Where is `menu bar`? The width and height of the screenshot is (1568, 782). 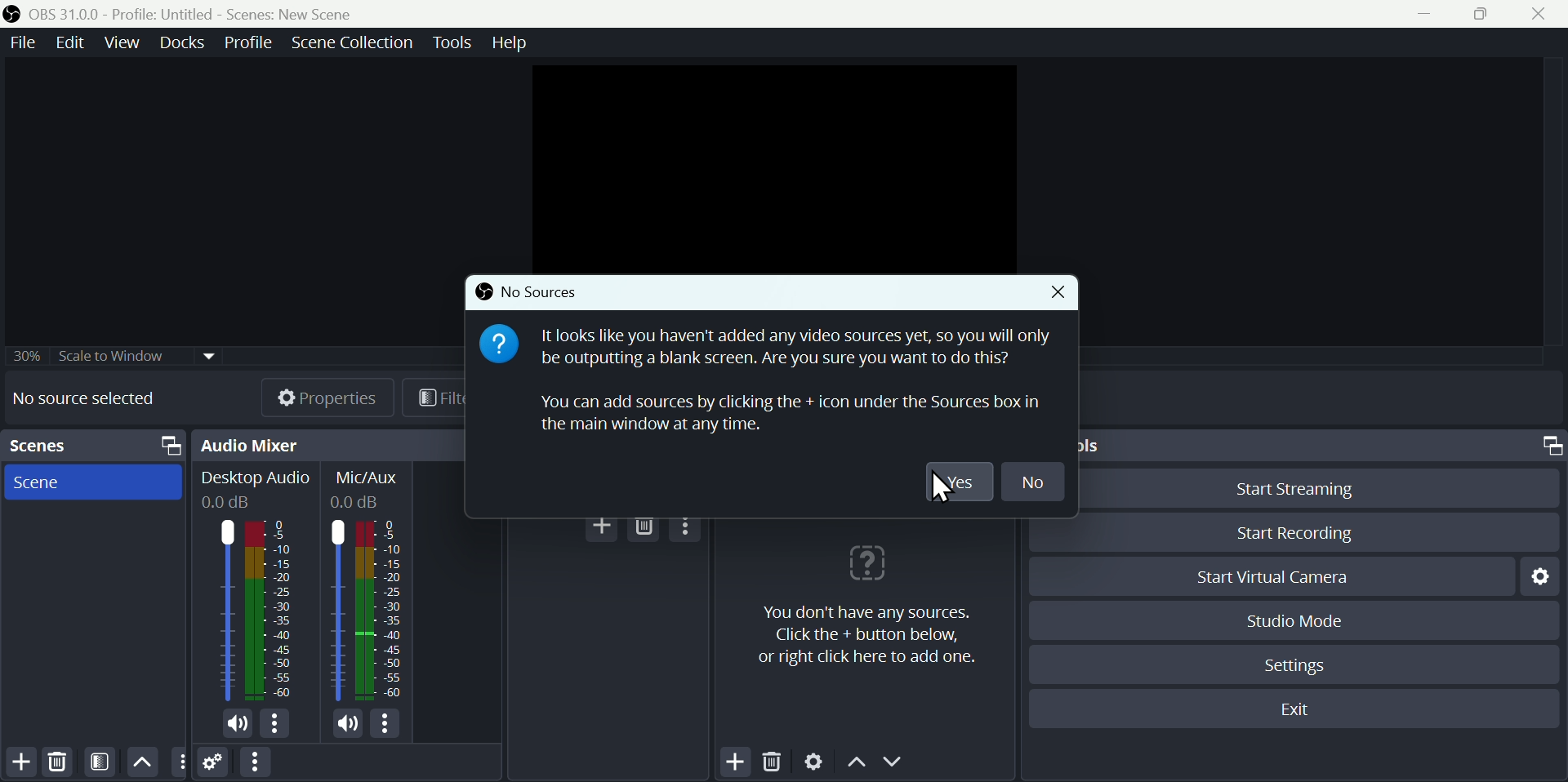
menu bar is located at coordinates (688, 526).